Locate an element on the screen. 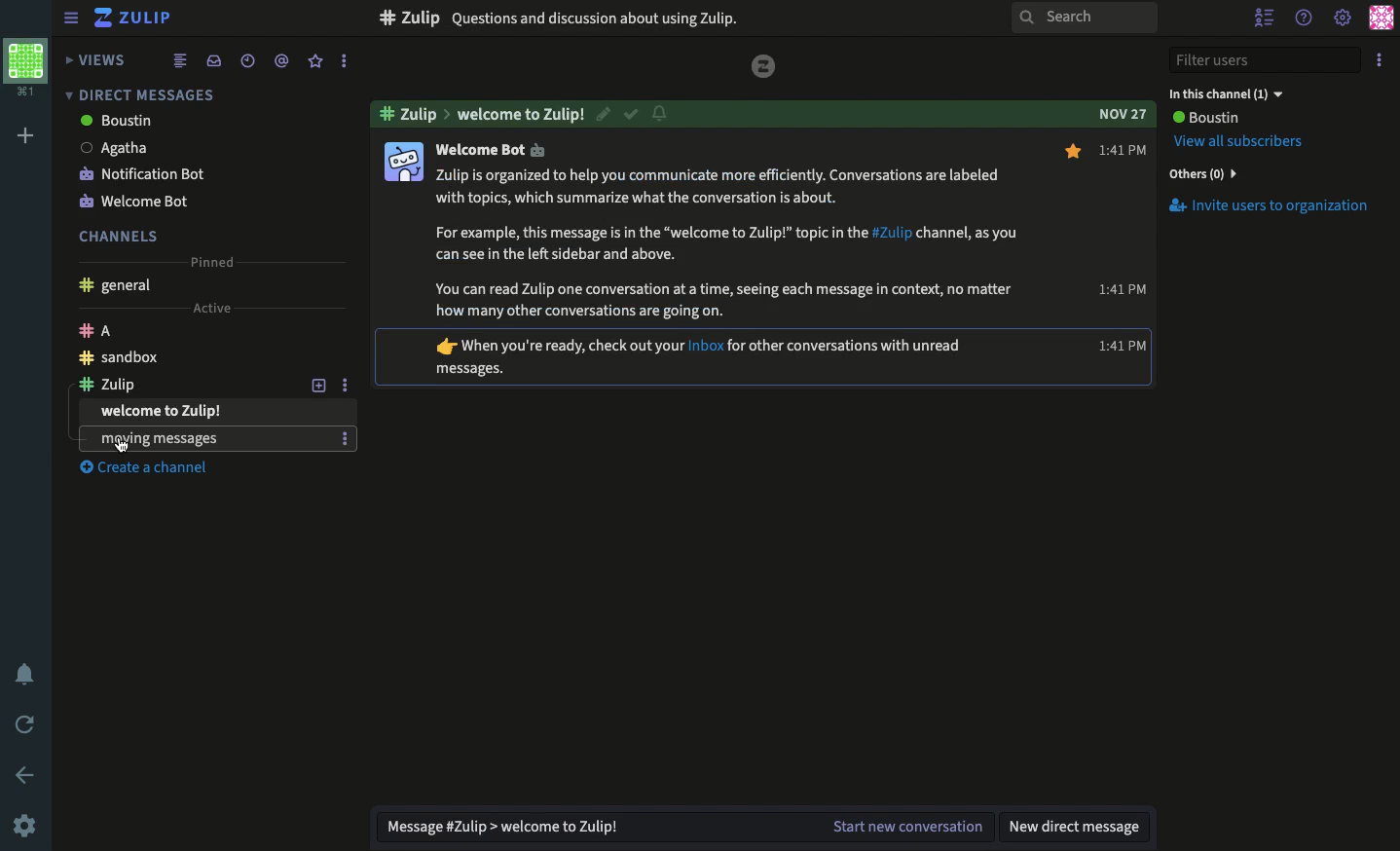  Inbox is located at coordinates (213, 60).